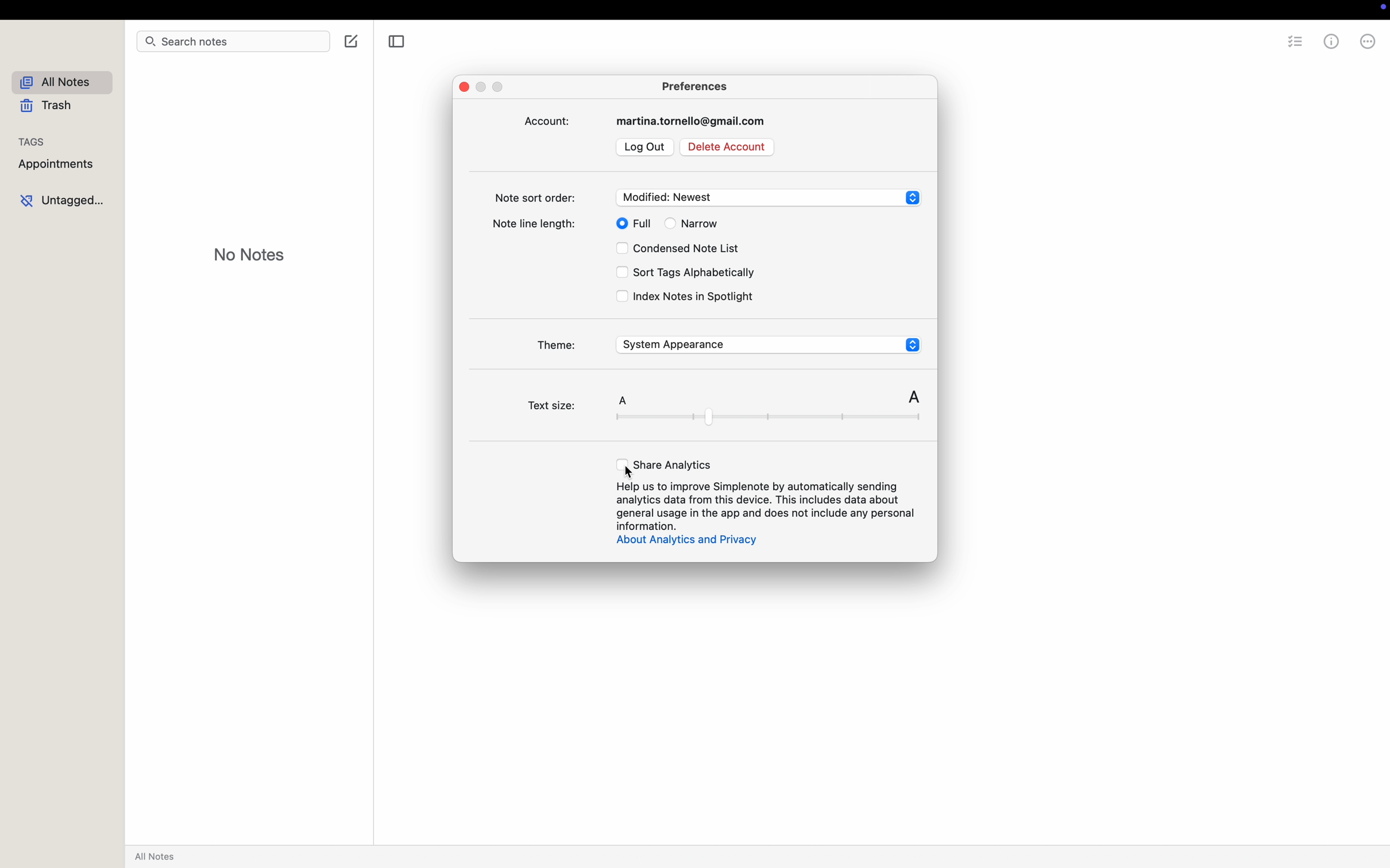 This screenshot has width=1390, height=868. What do you see at coordinates (624, 467) in the screenshot?
I see `cursor` at bounding box center [624, 467].